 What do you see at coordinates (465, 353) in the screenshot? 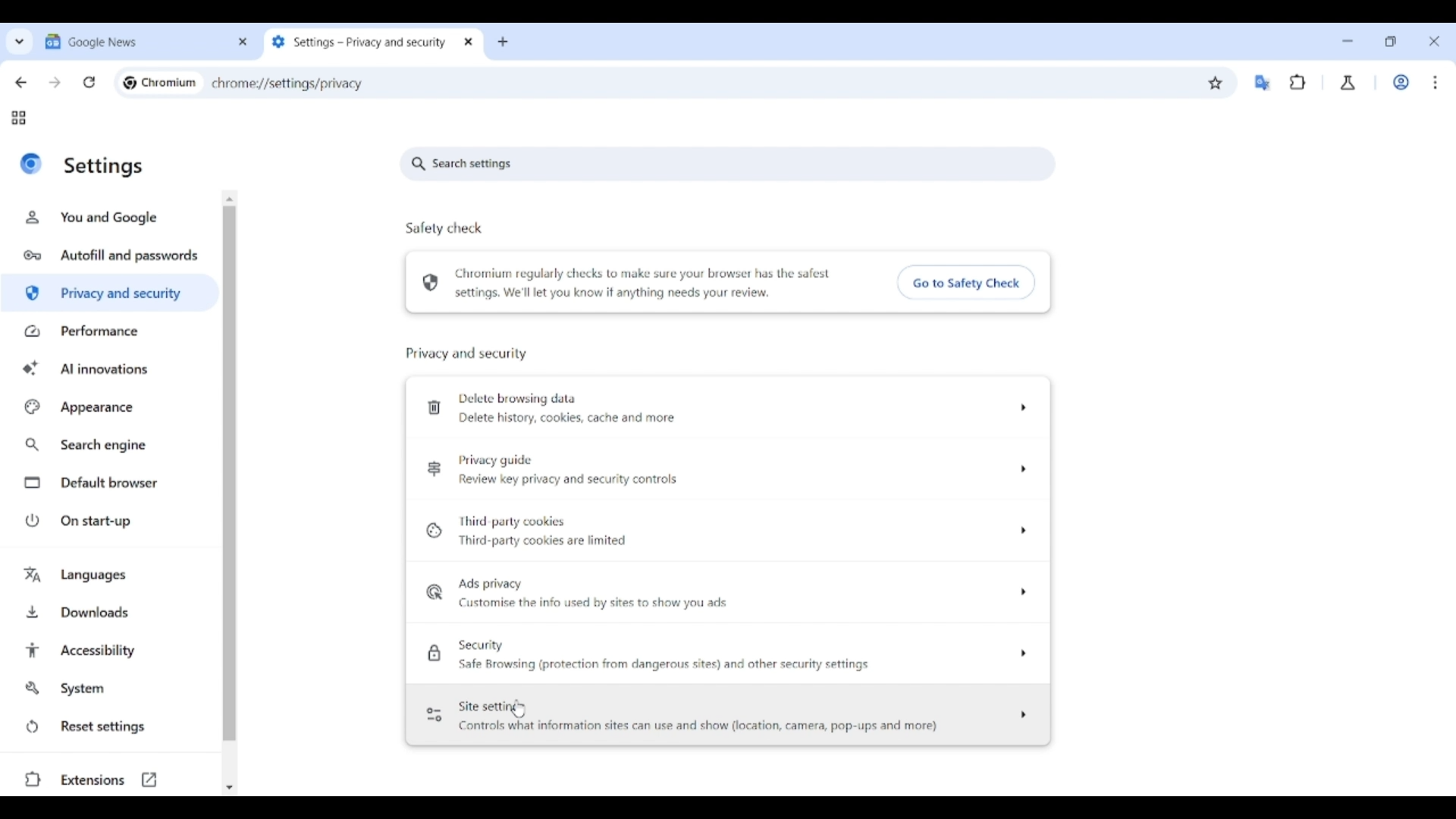
I see `Privacy and security` at bounding box center [465, 353].